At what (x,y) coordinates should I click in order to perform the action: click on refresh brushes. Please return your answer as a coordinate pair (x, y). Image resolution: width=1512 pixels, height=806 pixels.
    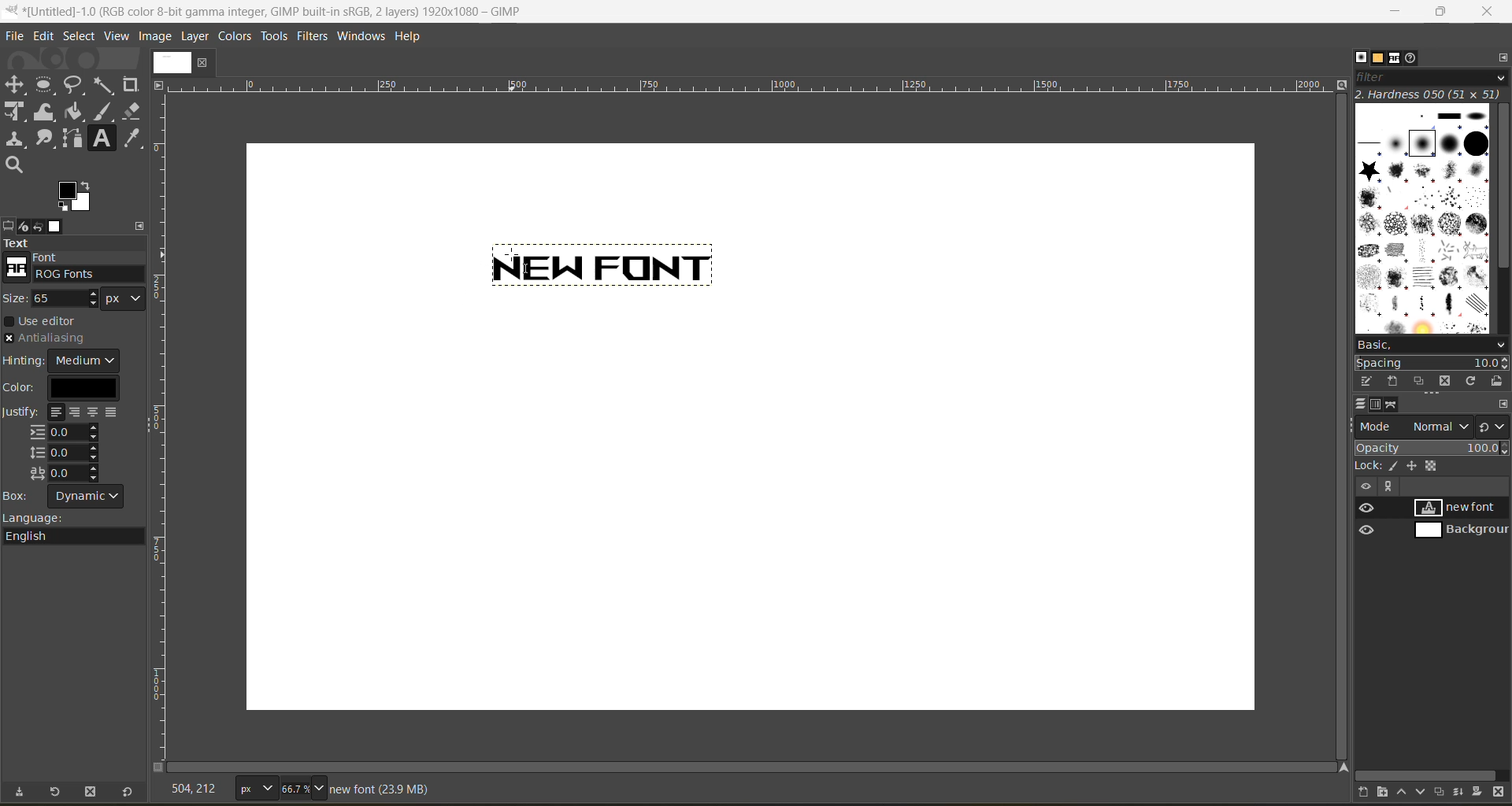
    Looking at the image, I should click on (1473, 383).